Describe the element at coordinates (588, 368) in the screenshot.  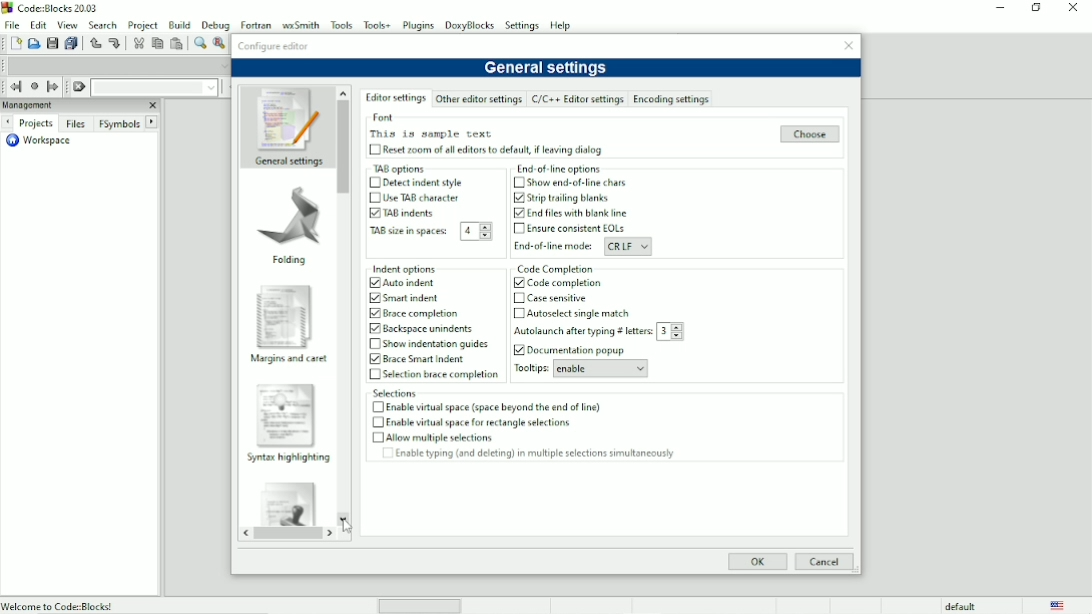
I see `enable` at that location.